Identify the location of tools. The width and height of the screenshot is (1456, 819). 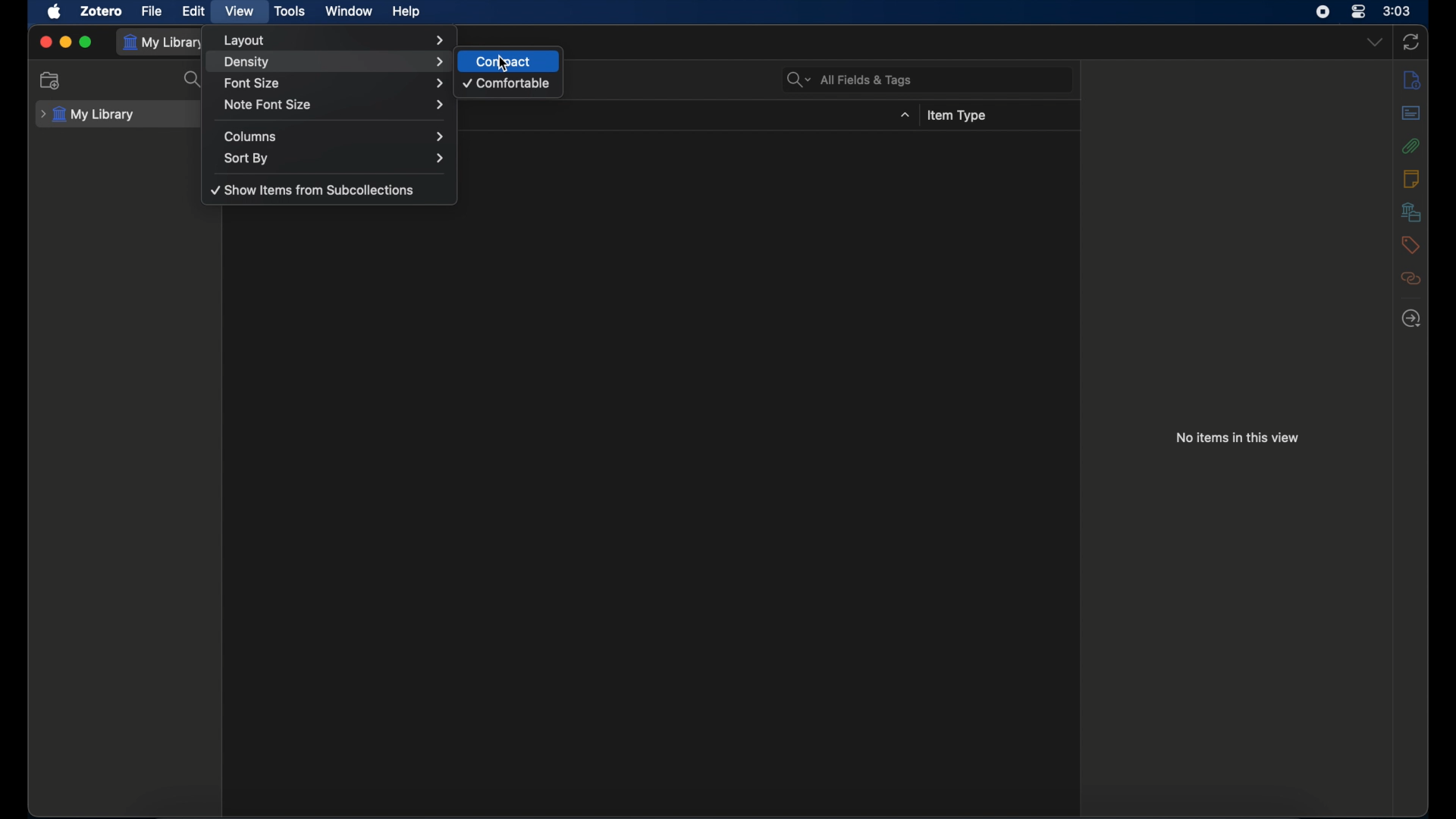
(290, 11).